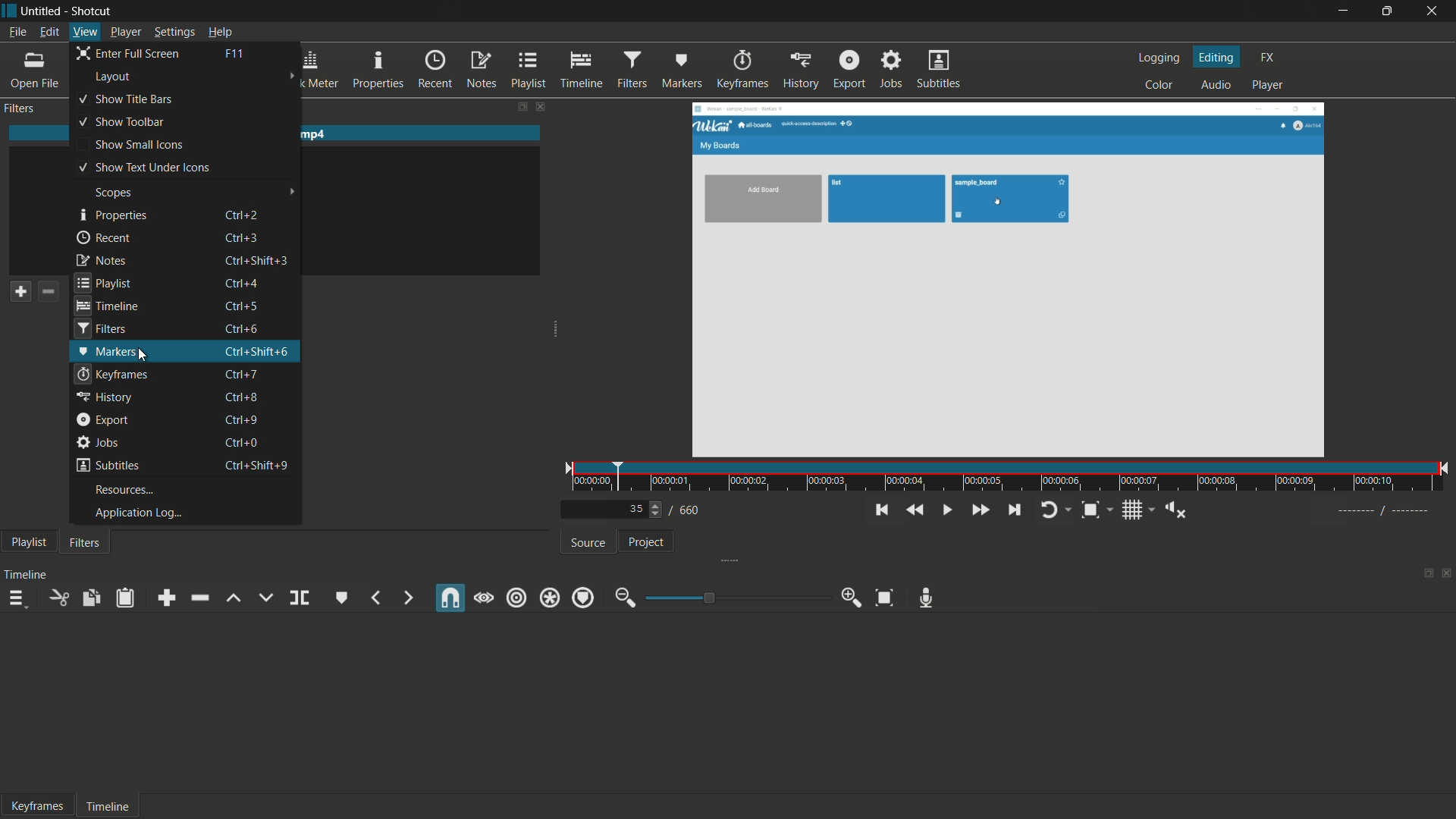 This screenshot has width=1456, height=819. I want to click on show small icons, so click(140, 146).